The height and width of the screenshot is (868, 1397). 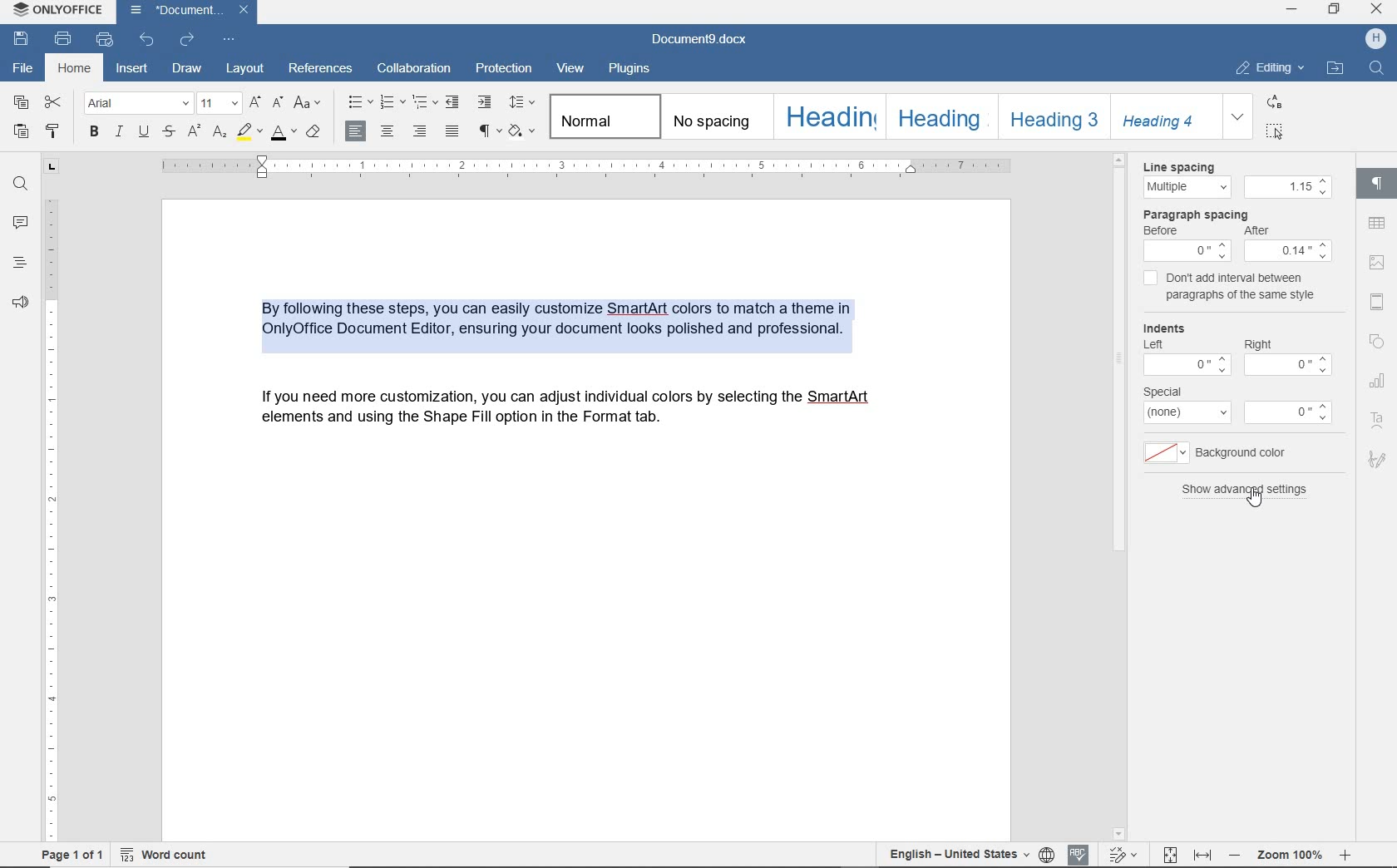 I want to click on quick print, so click(x=106, y=41).